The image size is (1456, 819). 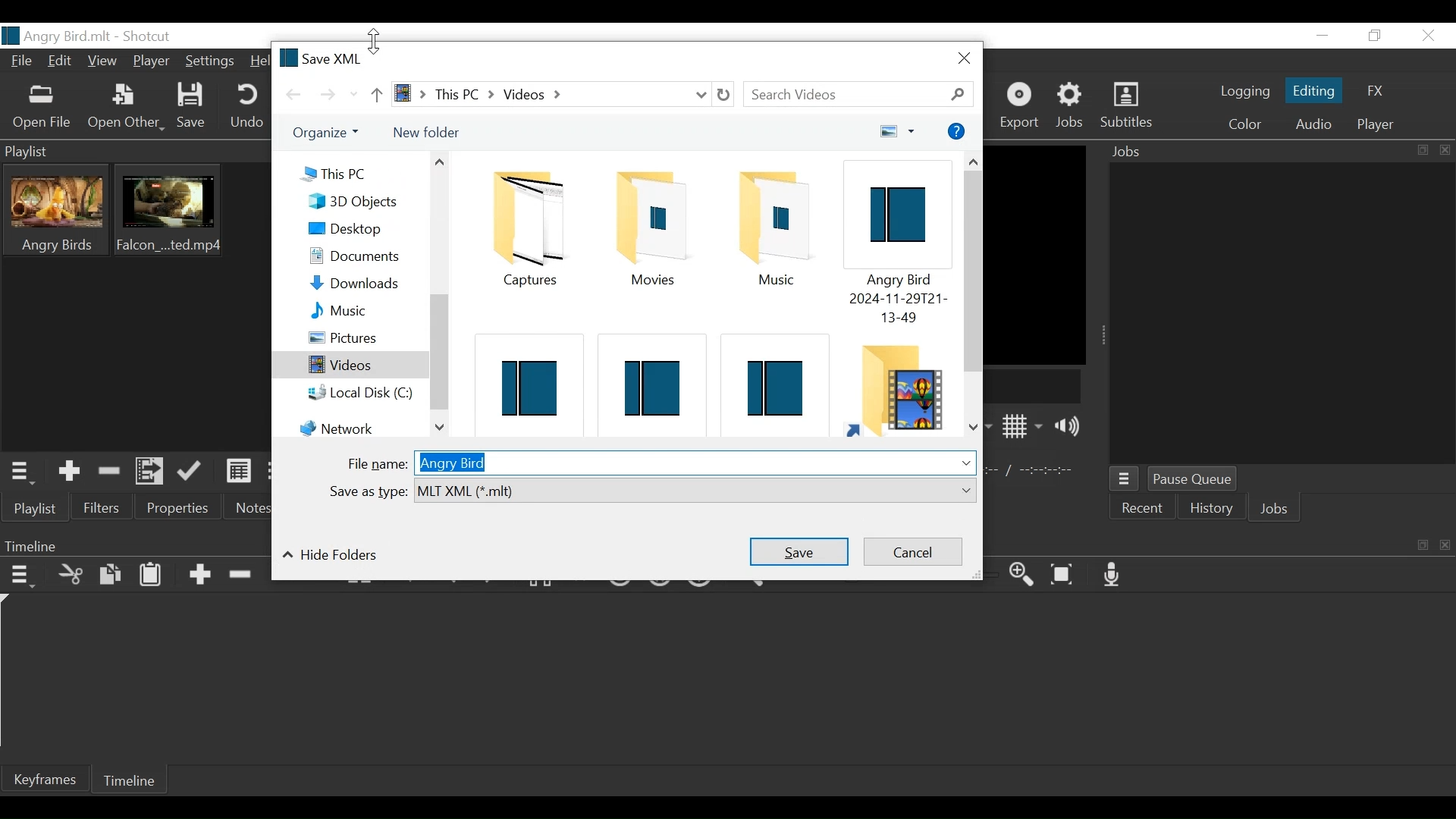 What do you see at coordinates (102, 63) in the screenshot?
I see `View` at bounding box center [102, 63].